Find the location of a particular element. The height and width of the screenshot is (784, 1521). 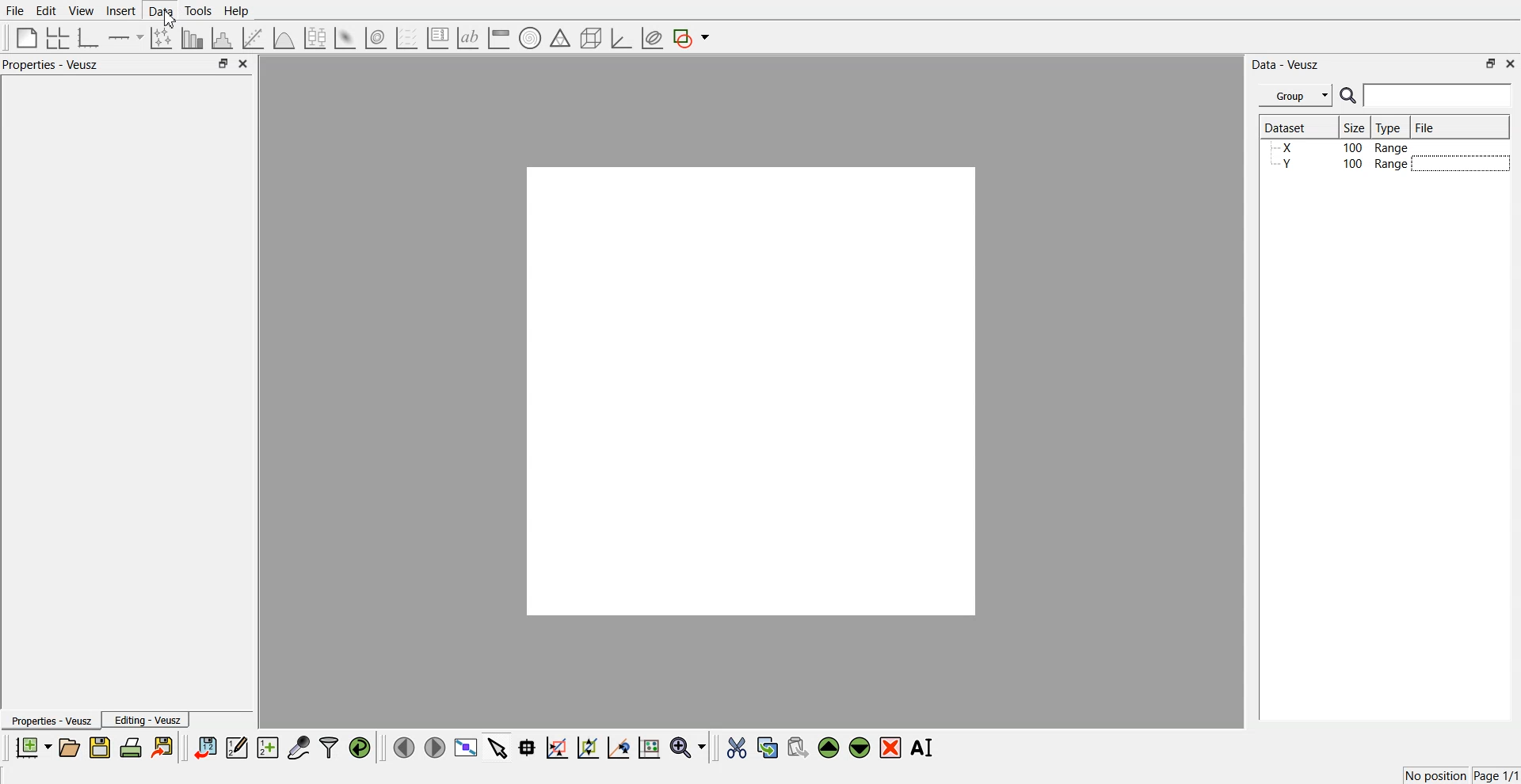

Open the document is located at coordinates (68, 748).